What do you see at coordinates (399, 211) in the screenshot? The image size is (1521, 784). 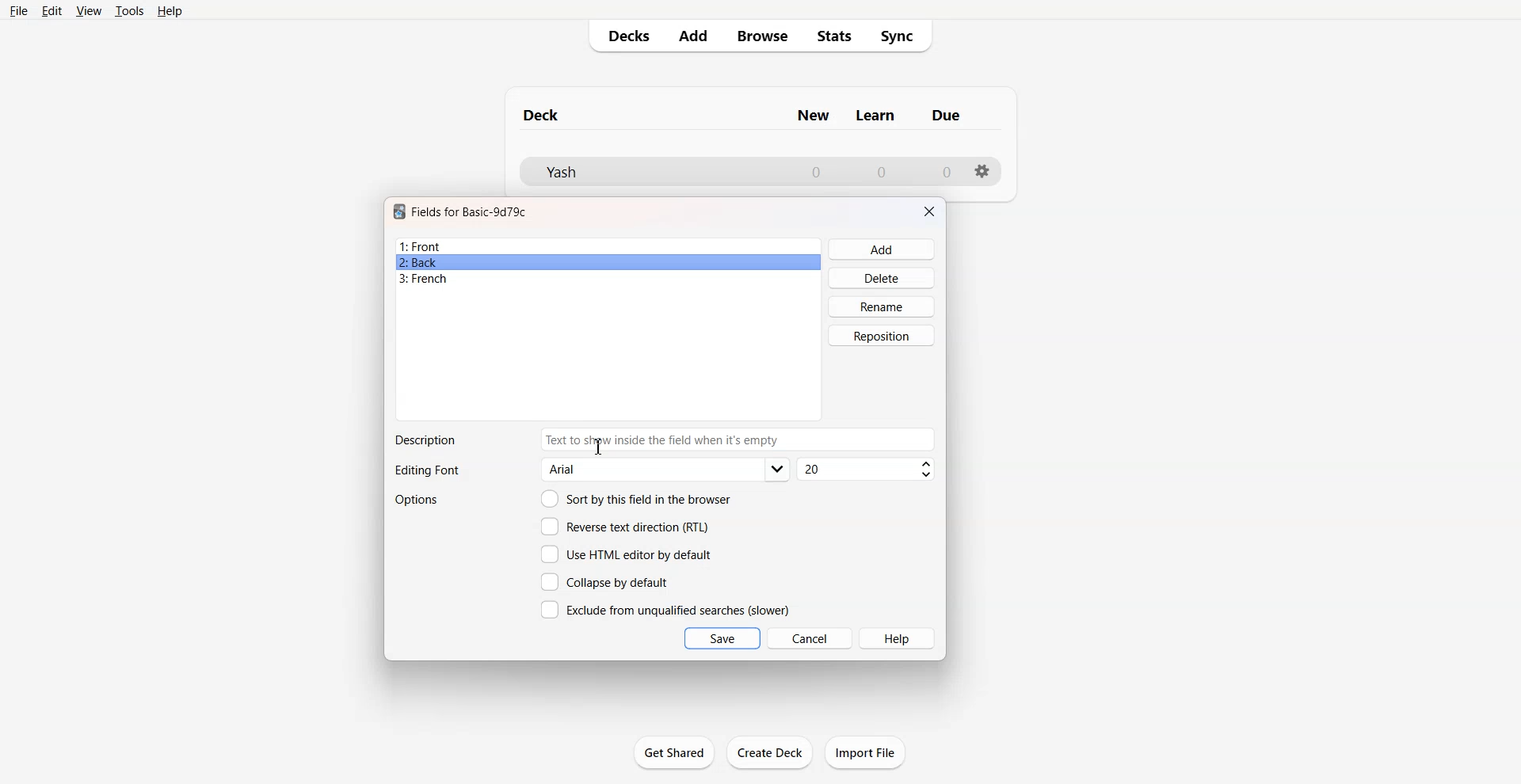 I see `Software logo` at bounding box center [399, 211].